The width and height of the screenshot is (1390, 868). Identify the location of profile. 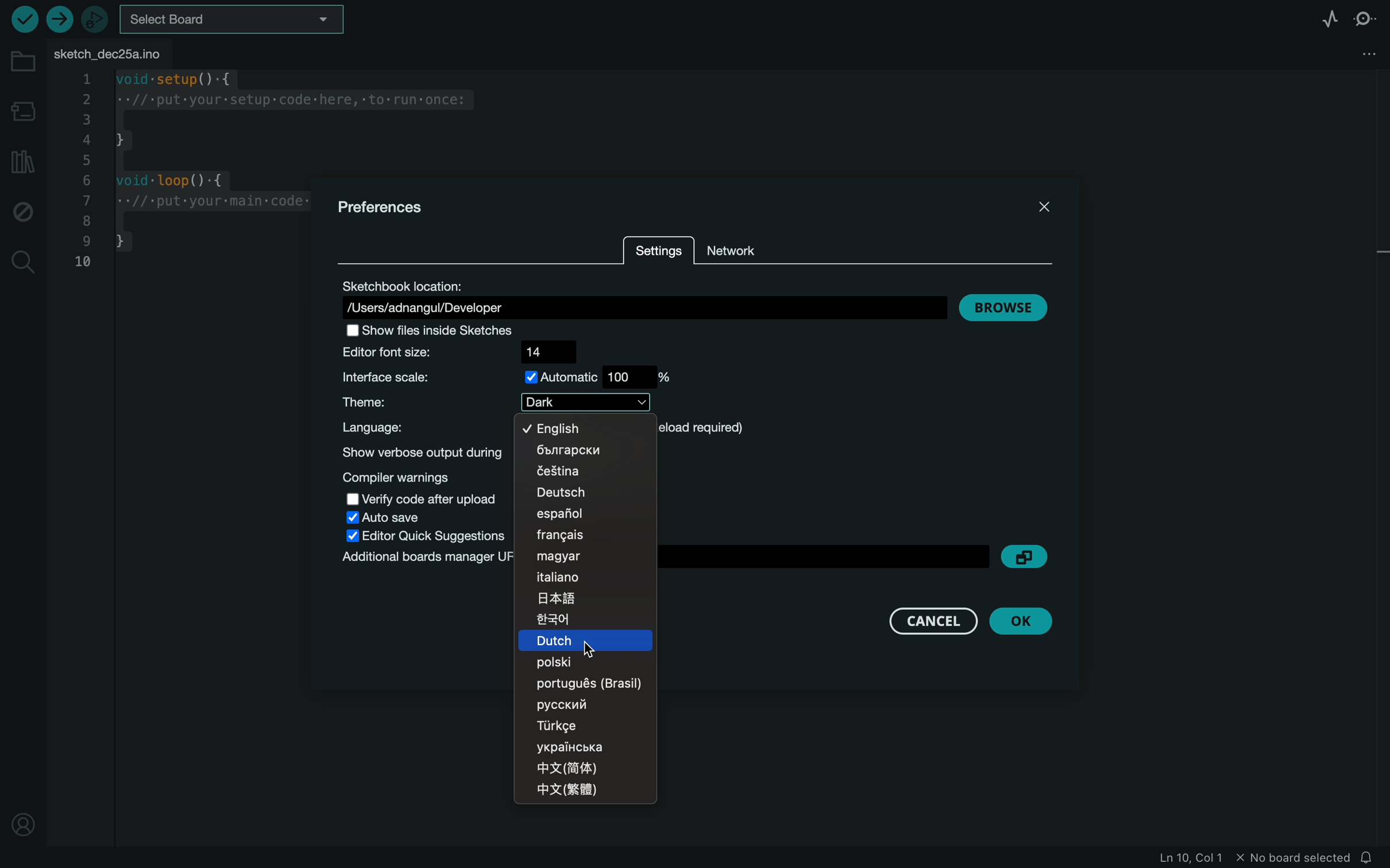
(23, 819).